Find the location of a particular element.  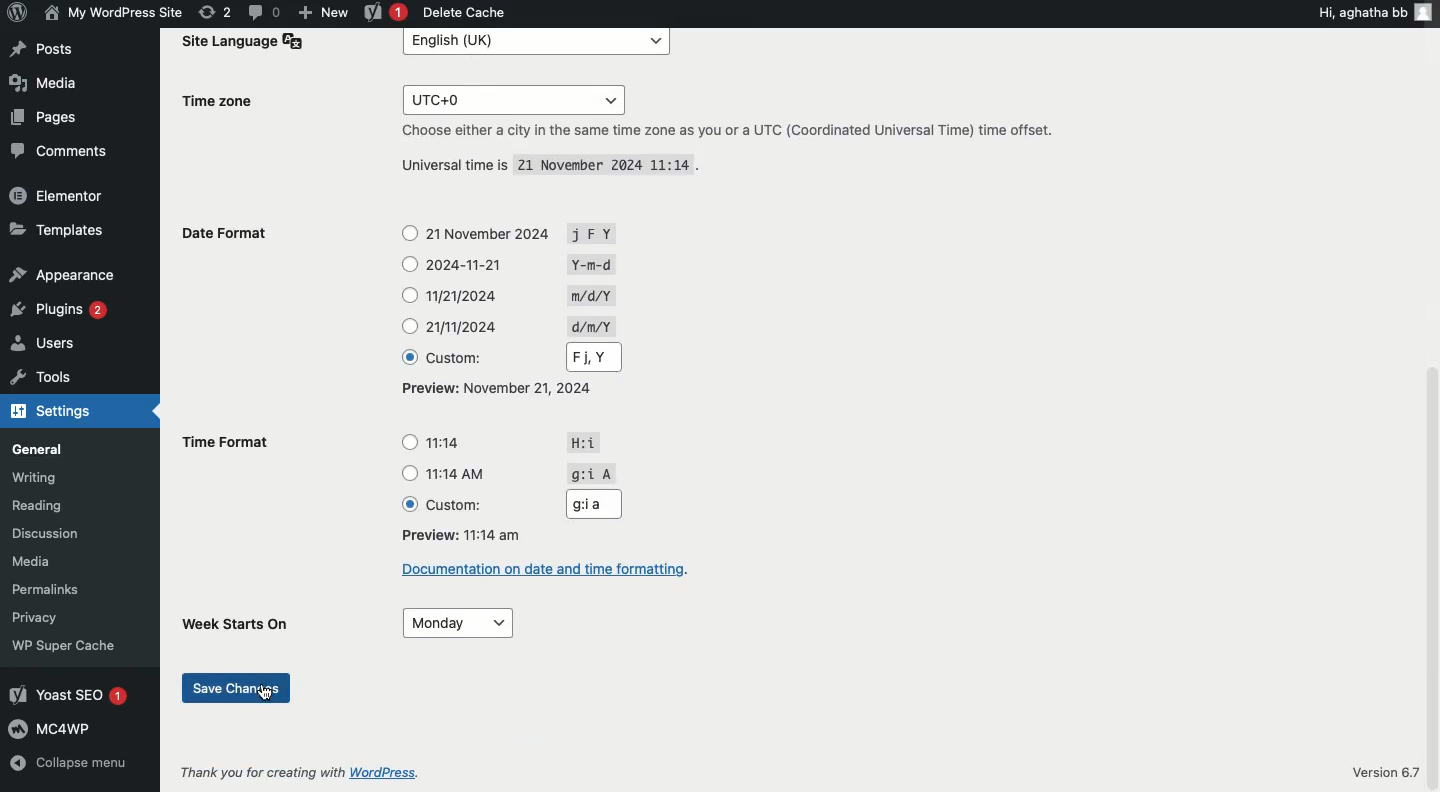

Custom: is located at coordinates (460, 505).